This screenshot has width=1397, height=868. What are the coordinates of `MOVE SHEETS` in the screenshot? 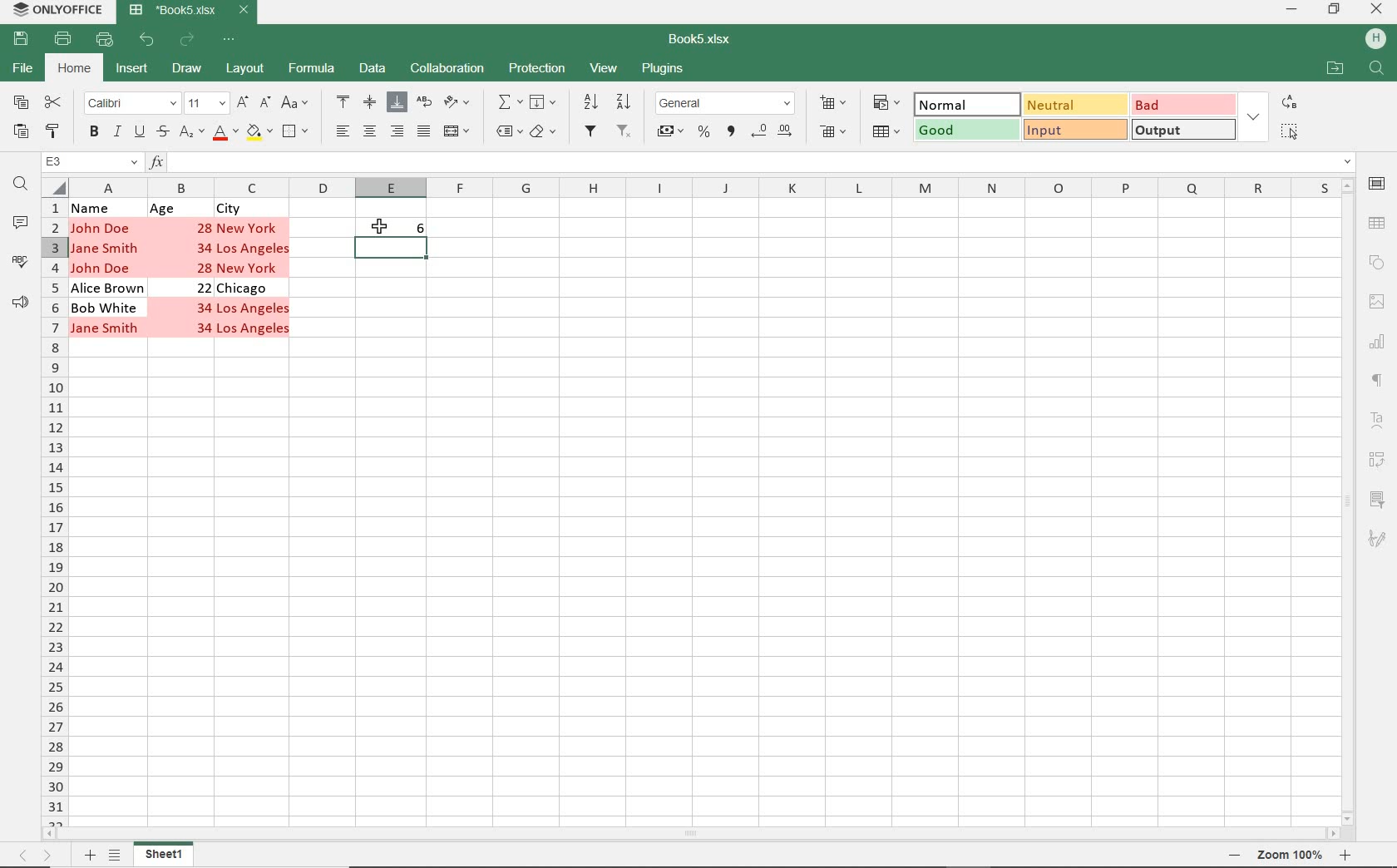 It's located at (34, 856).